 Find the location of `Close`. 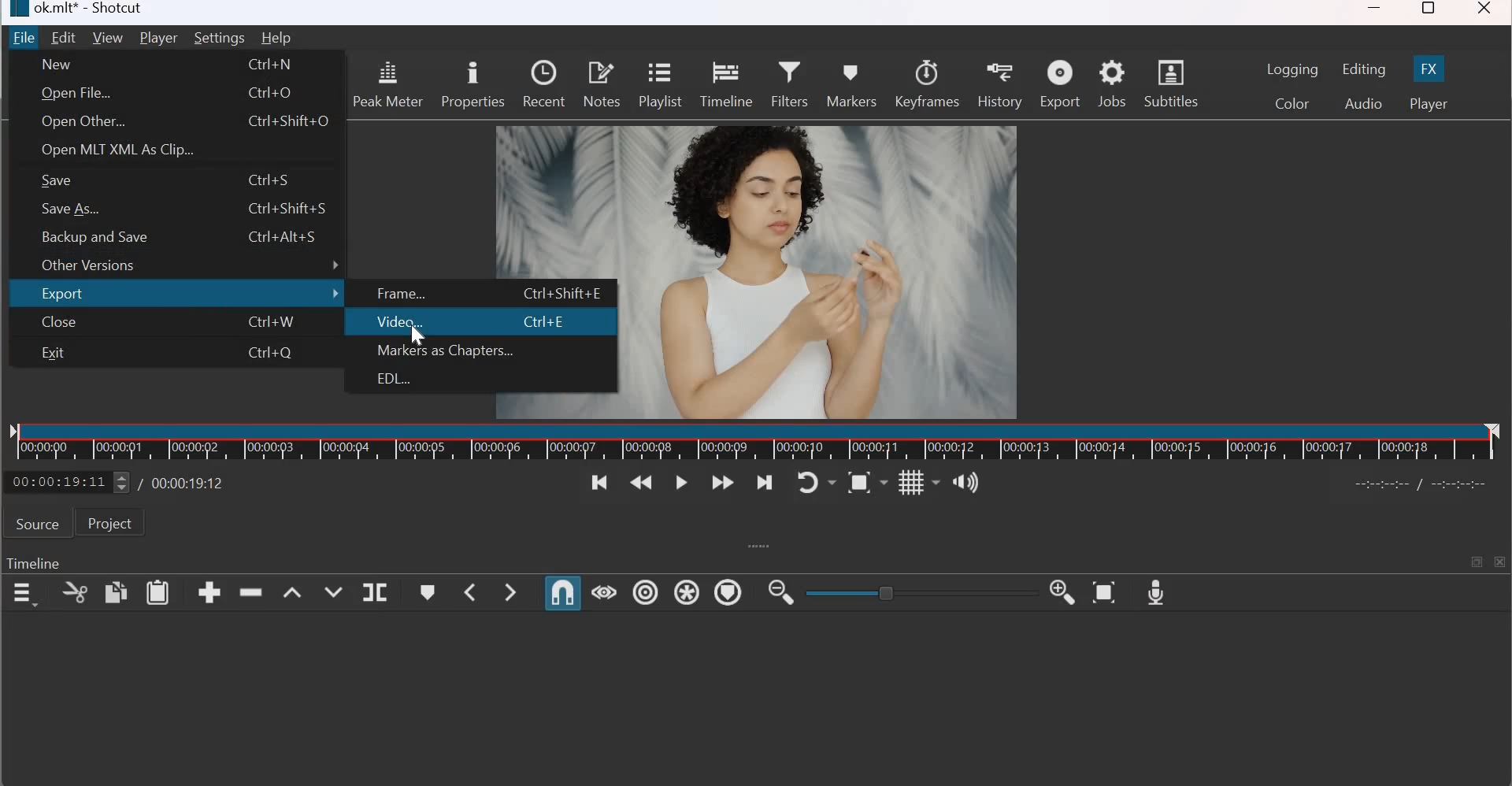

Close is located at coordinates (1487, 12).